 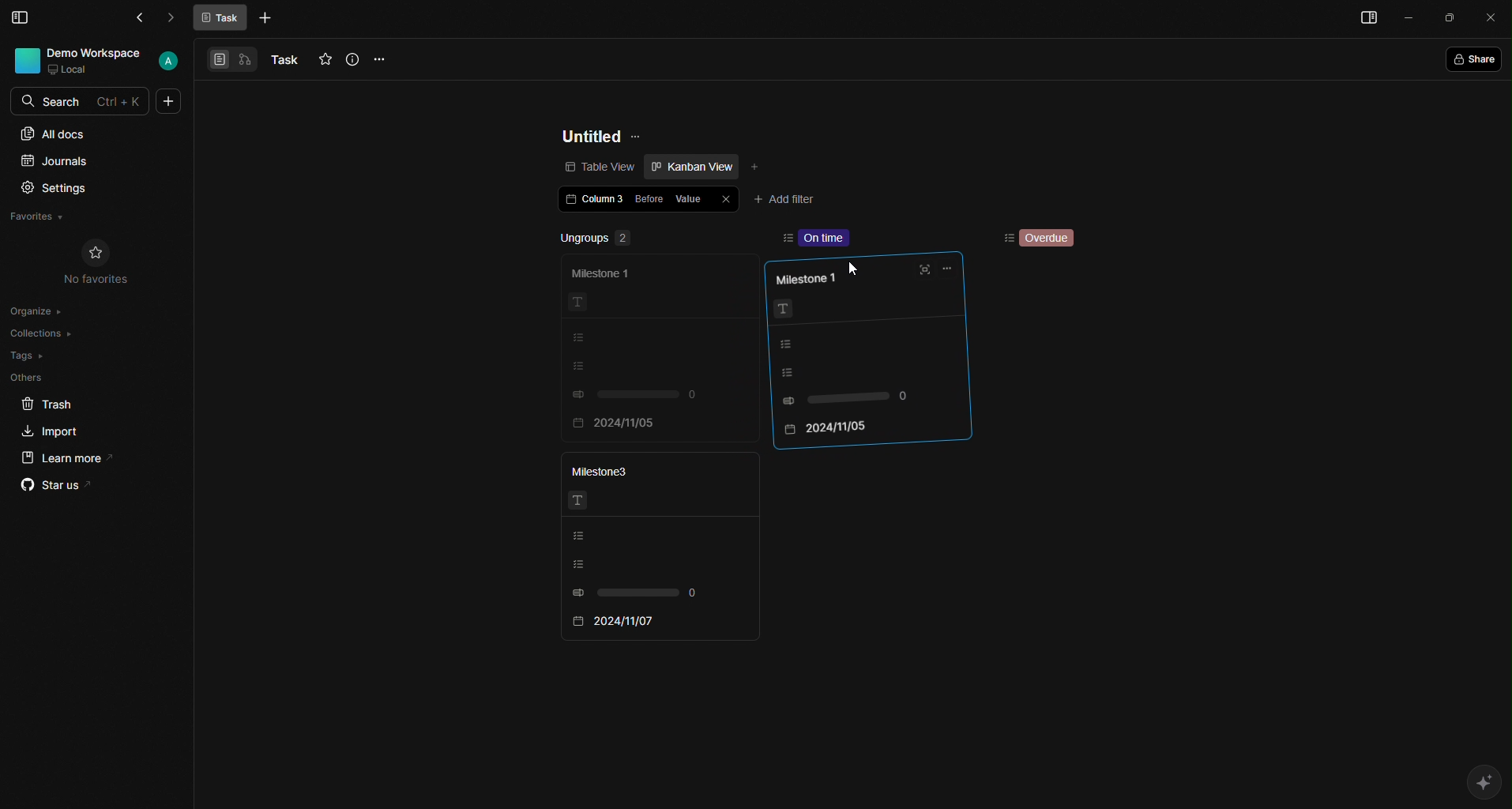 I want to click on Options, so click(x=381, y=58).